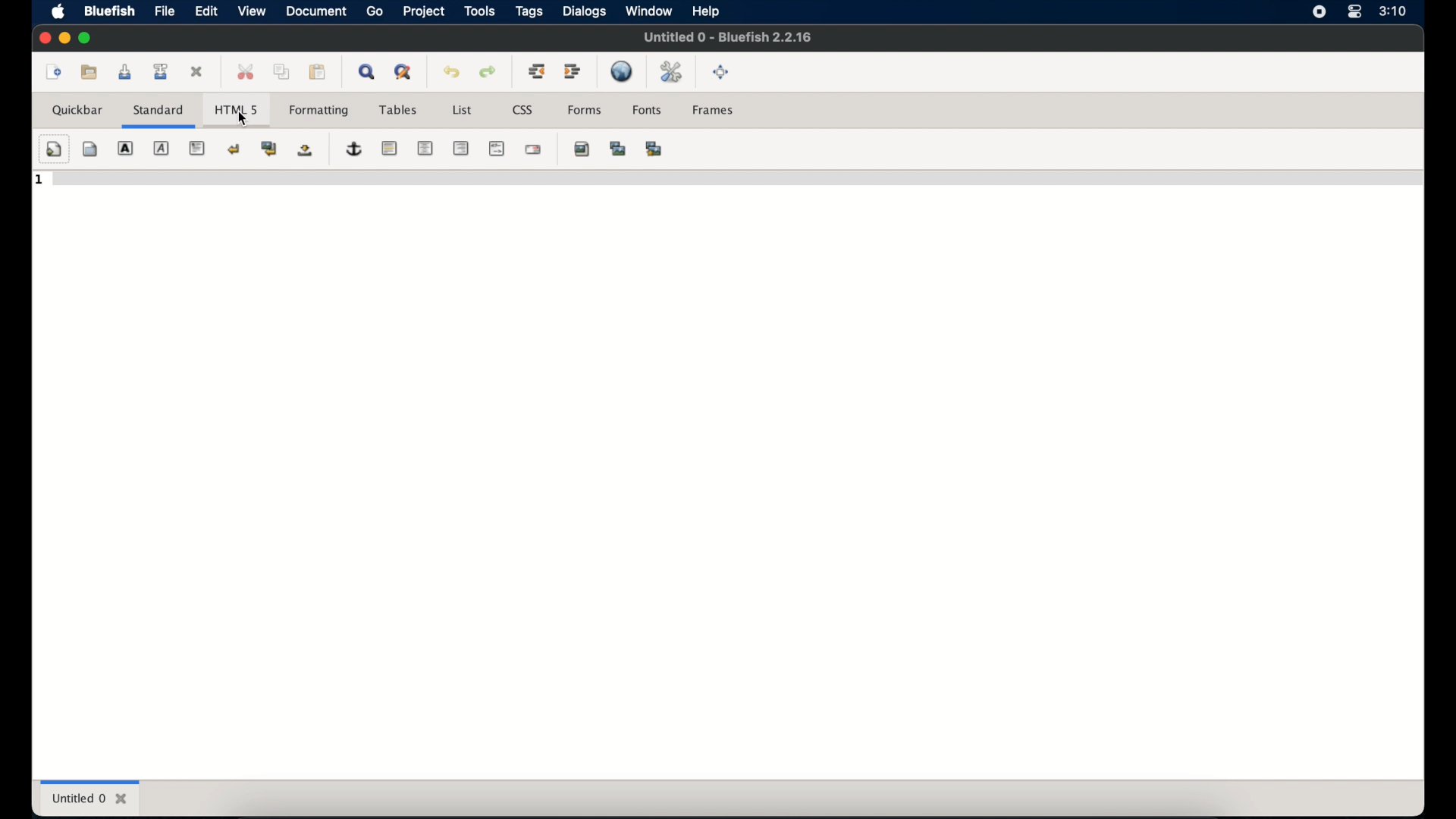 This screenshot has height=819, width=1456. Describe the element at coordinates (653, 149) in the screenshot. I see `multi thumbnail` at that location.